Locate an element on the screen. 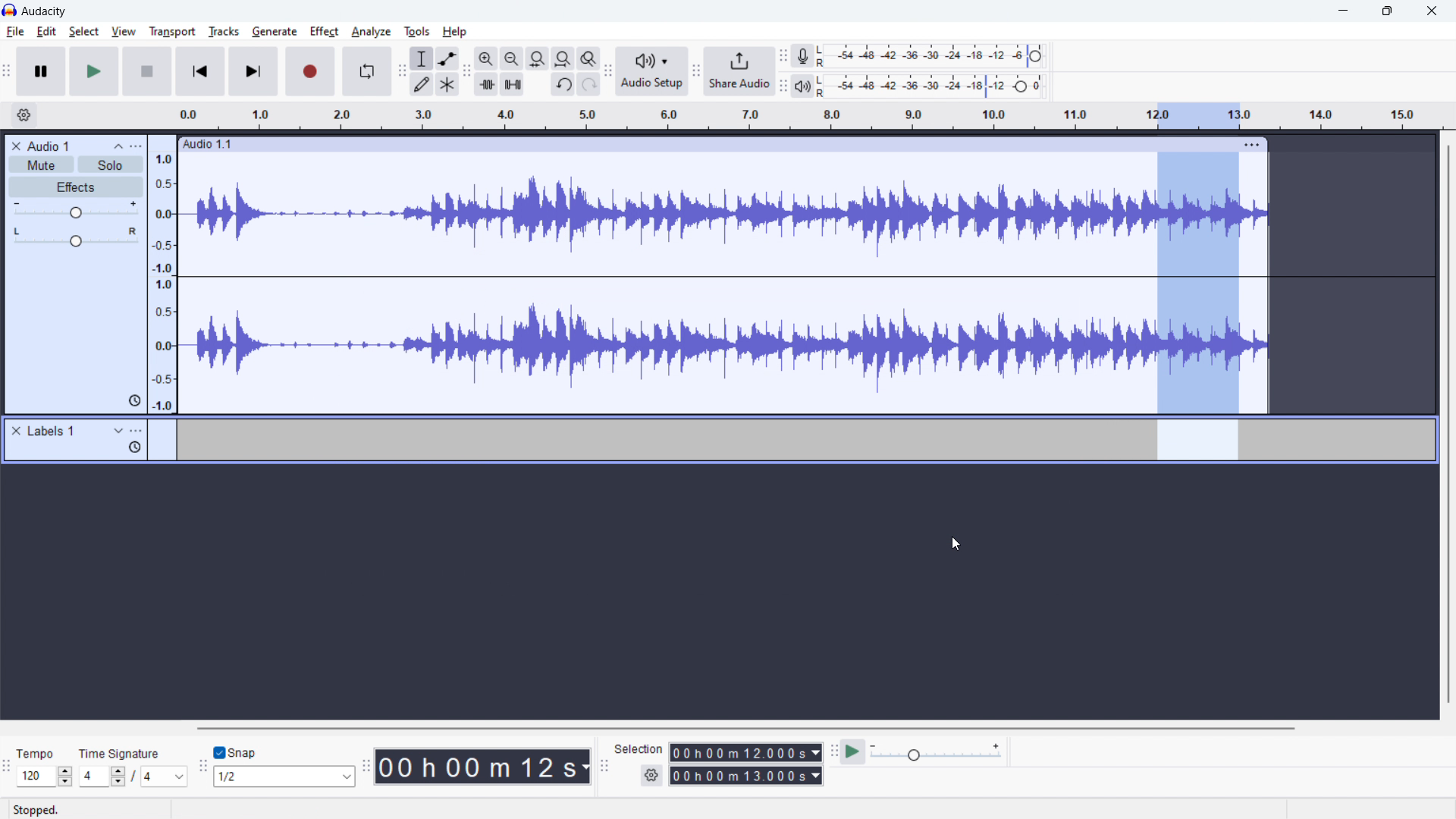 The height and width of the screenshot is (819, 1456). multi tool is located at coordinates (448, 84).